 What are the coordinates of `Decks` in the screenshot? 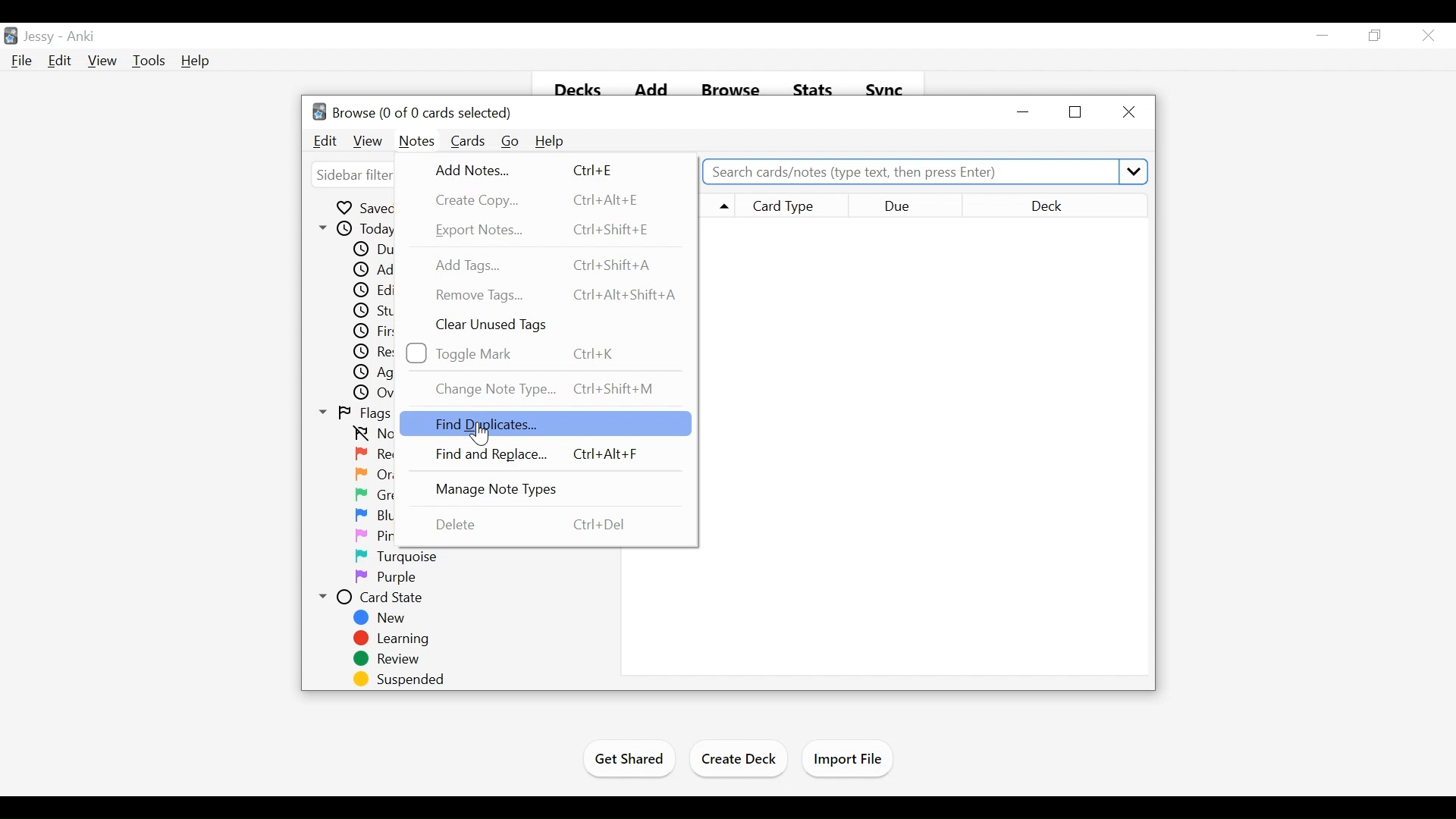 It's located at (573, 86).